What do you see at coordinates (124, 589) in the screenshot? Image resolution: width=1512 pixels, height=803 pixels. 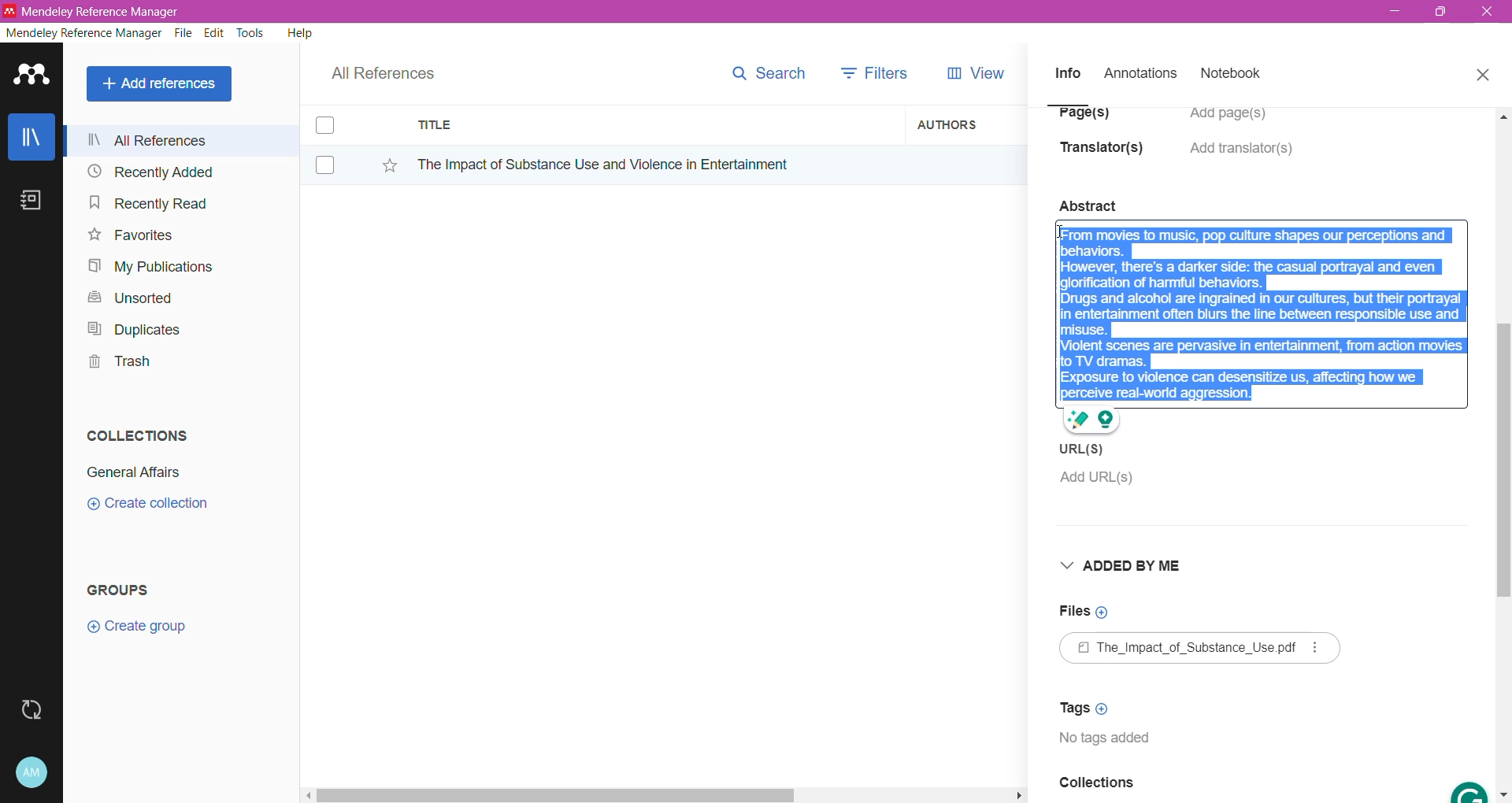 I see `Groups` at bounding box center [124, 589].